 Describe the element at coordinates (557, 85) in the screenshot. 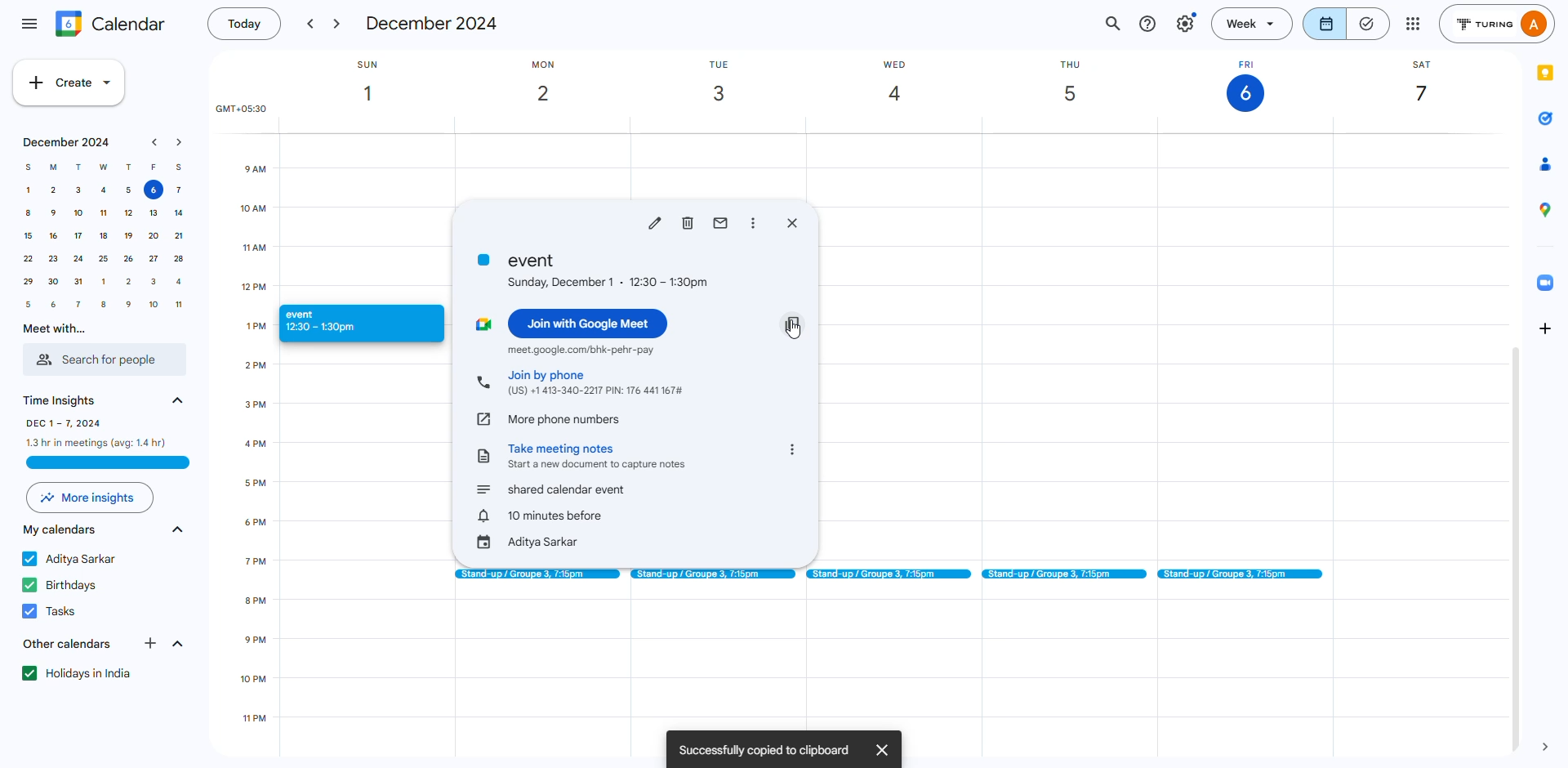

I see `mon 2` at that location.